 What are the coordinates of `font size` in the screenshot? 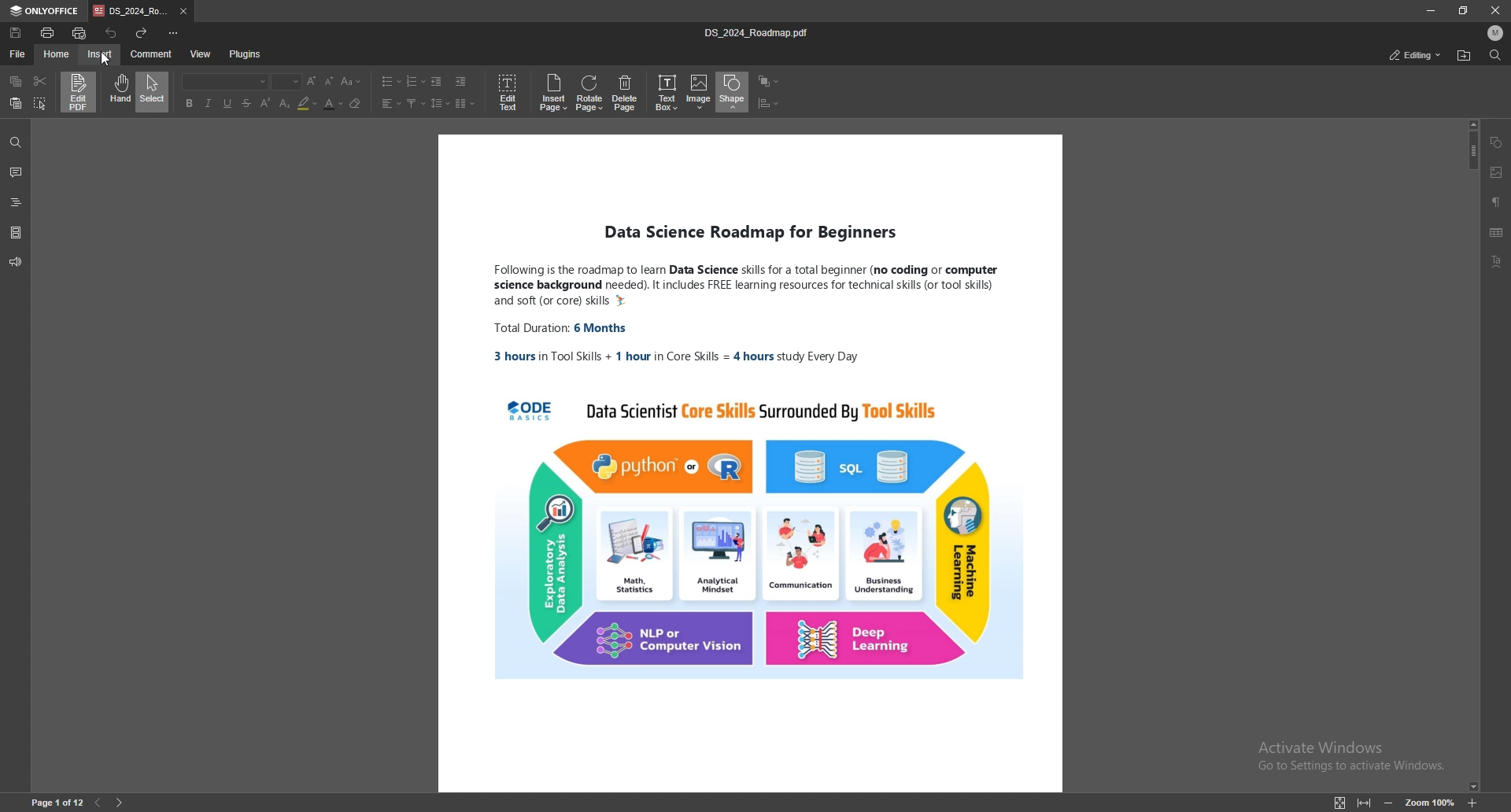 It's located at (353, 81).